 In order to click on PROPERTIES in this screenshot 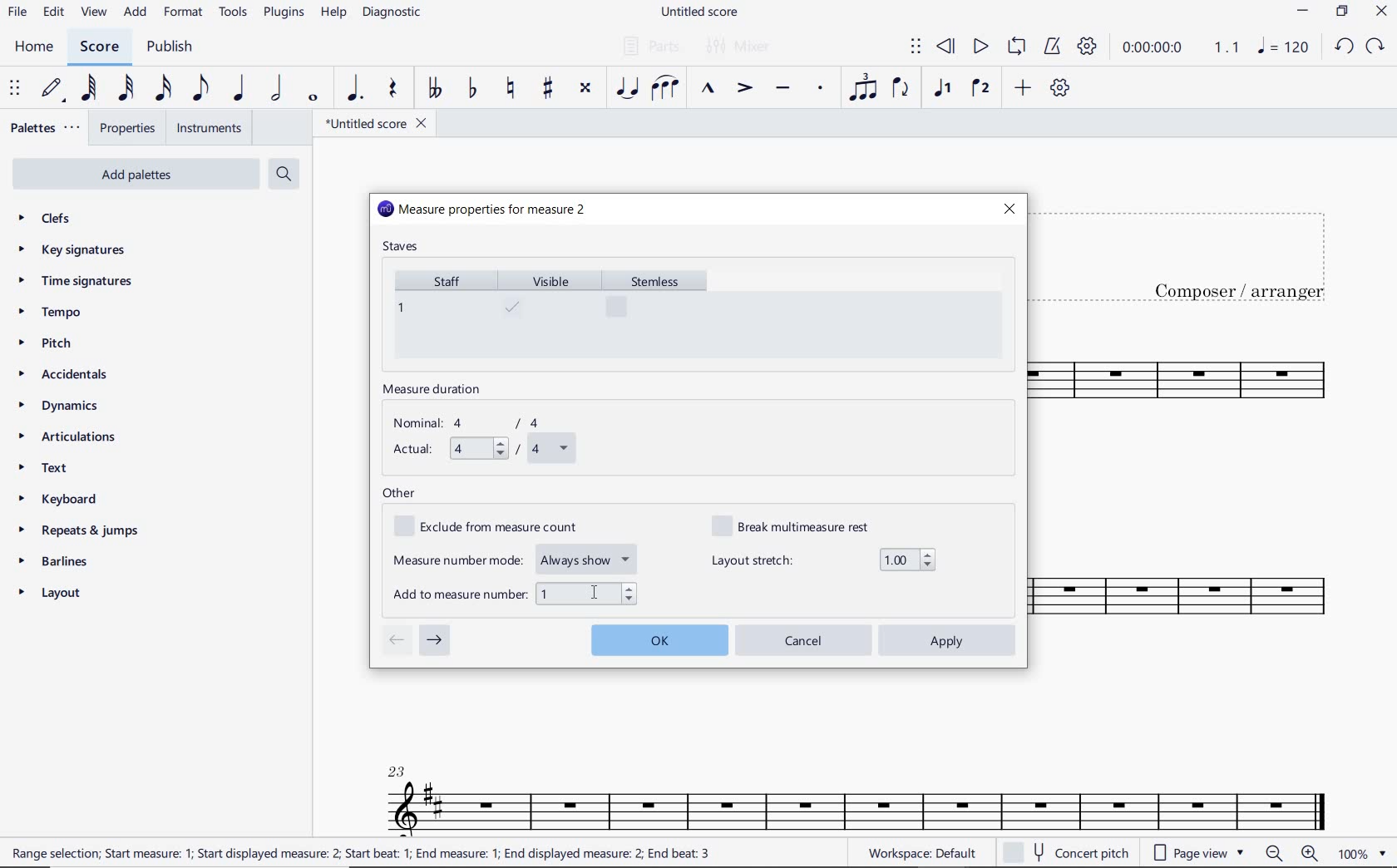, I will do `click(126, 131)`.